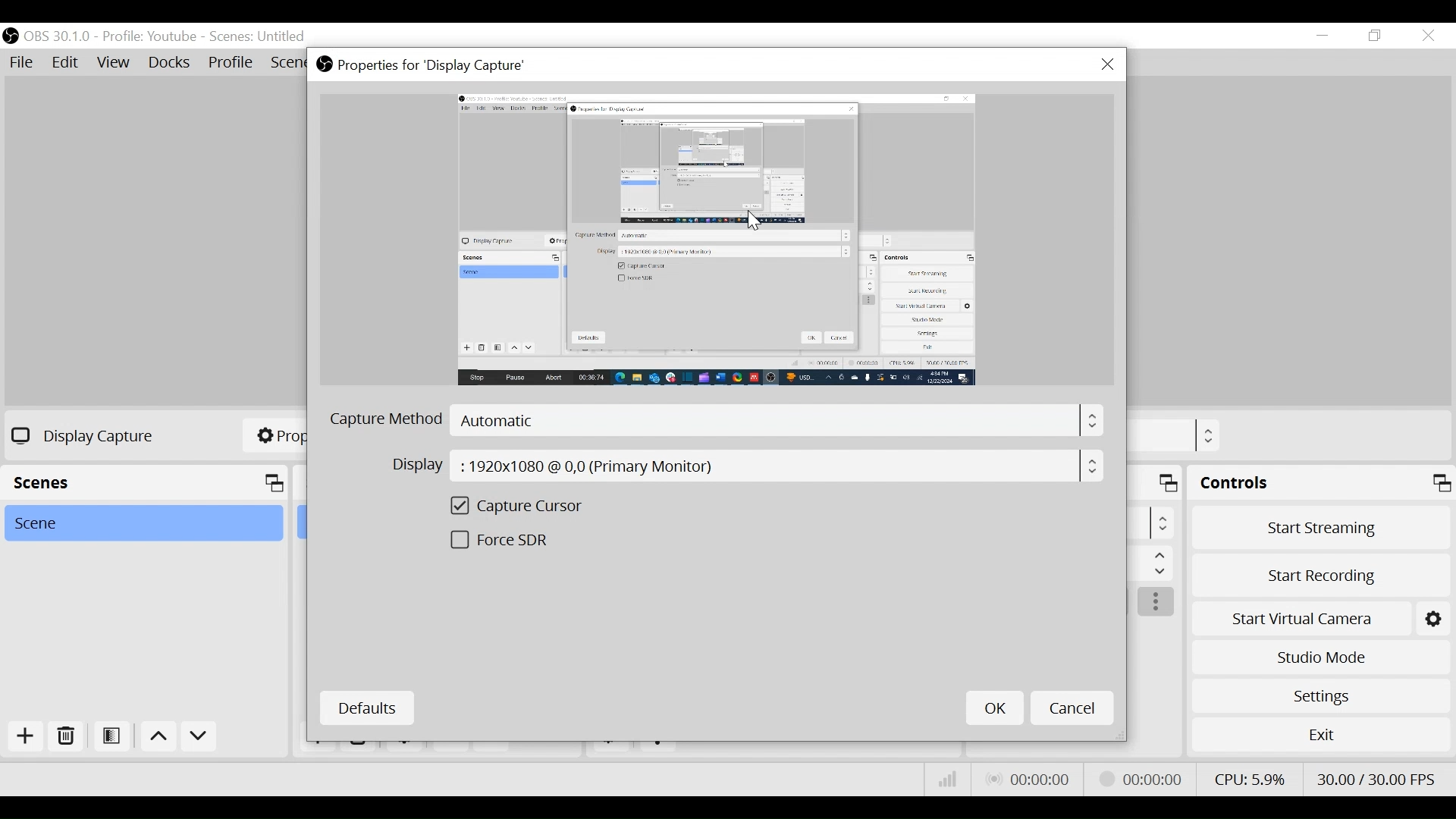 The image size is (1456, 819). Describe the element at coordinates (64, 737) in the screenshot. I see `Delete` at that location.